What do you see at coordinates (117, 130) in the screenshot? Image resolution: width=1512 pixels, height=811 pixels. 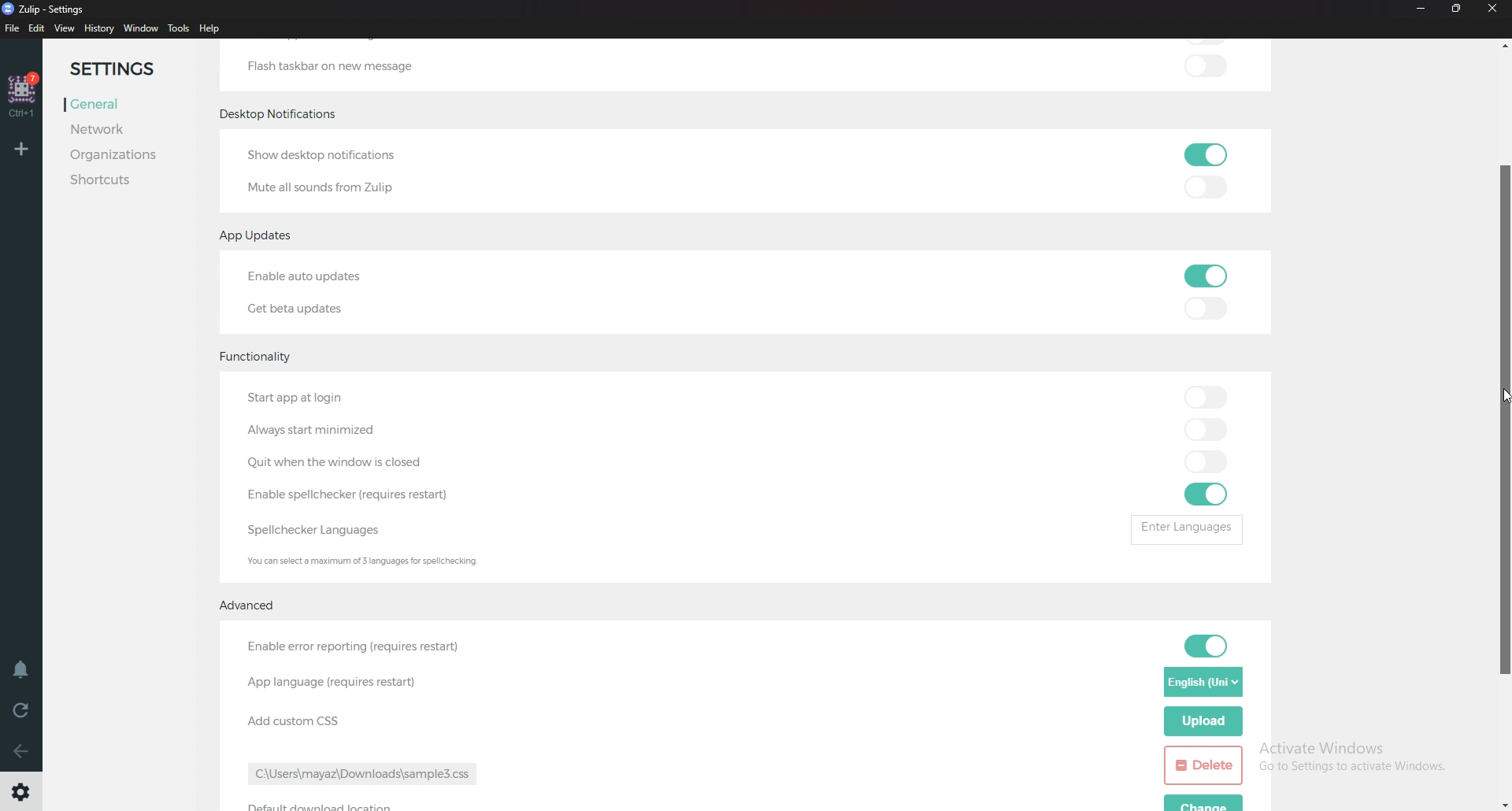 I see `Network` at bounding box center [117, 130].